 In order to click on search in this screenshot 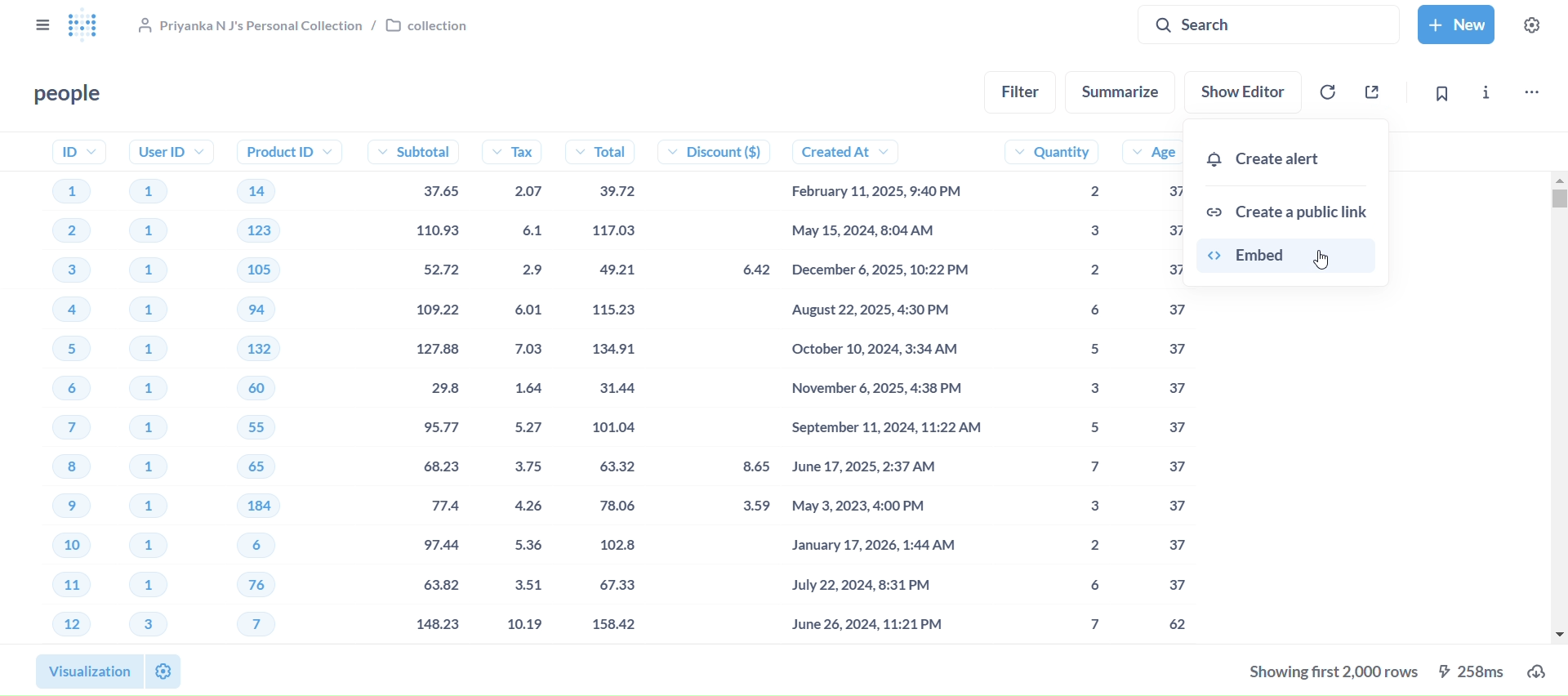, I will do `click(1269, 25)`.